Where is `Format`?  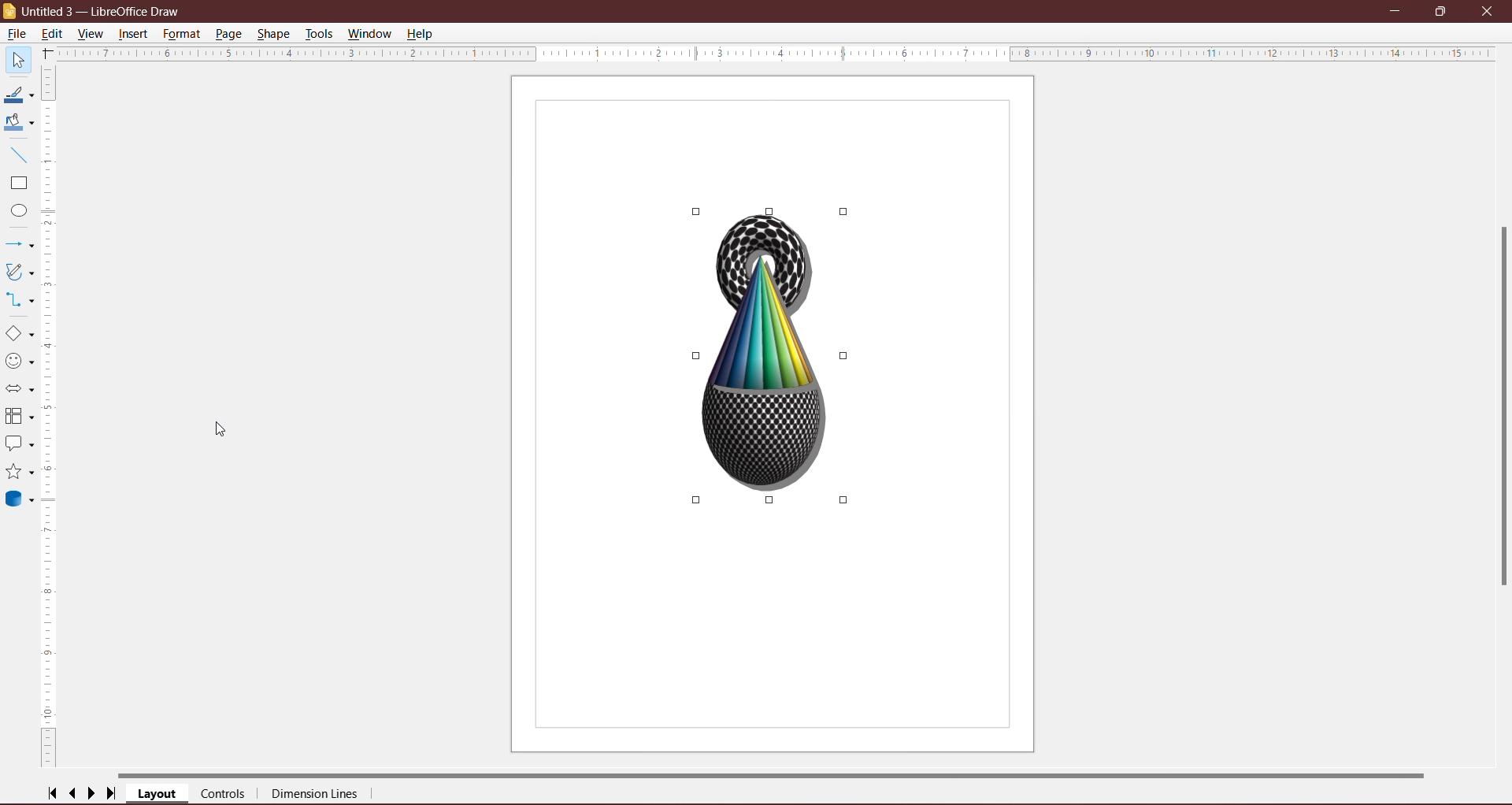 Format is located at coordinates (181, 35).